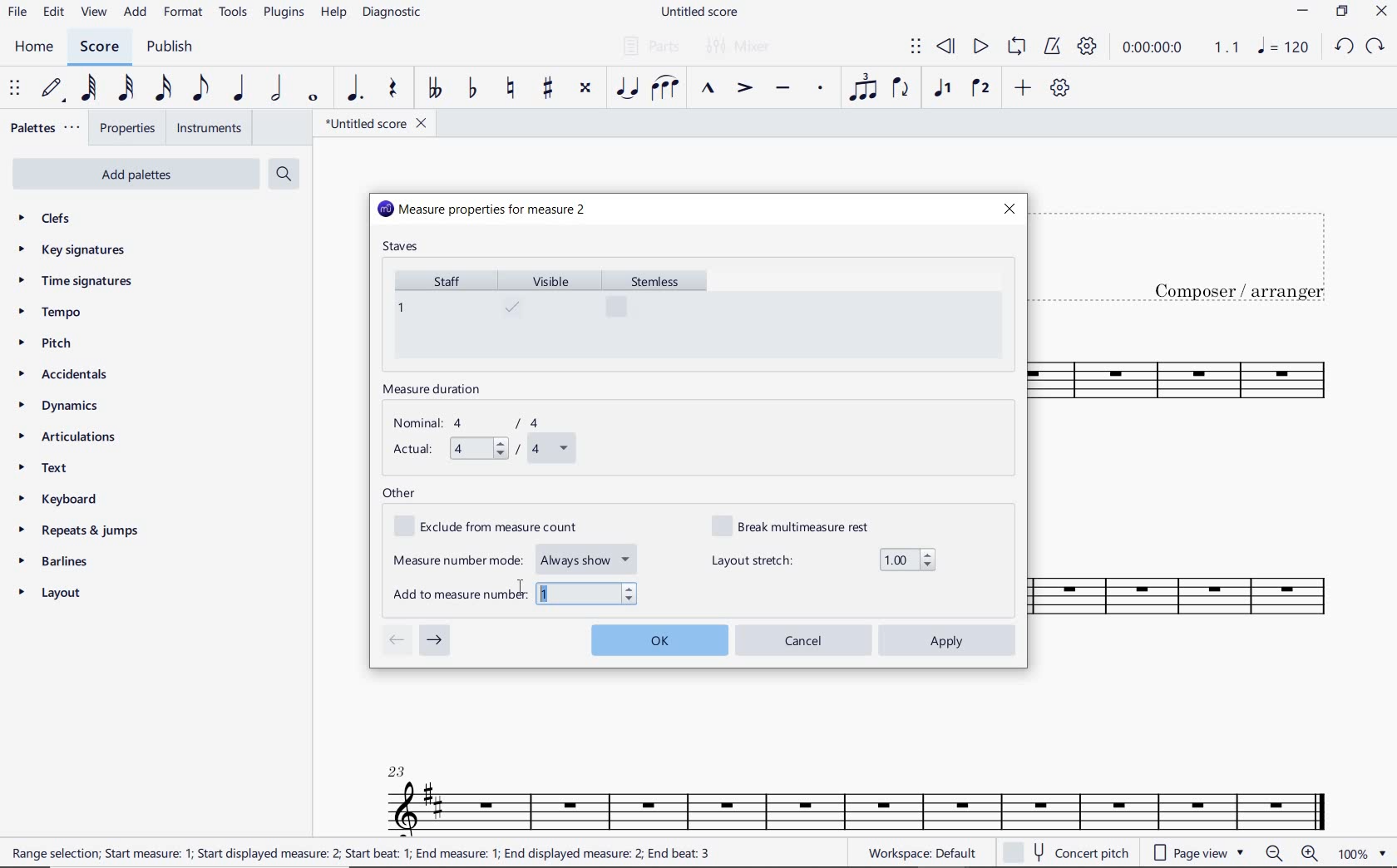  What do you see at coordinates (361, 853) in the screenshot?
I see `range selection` at bounding box center [361, 853].